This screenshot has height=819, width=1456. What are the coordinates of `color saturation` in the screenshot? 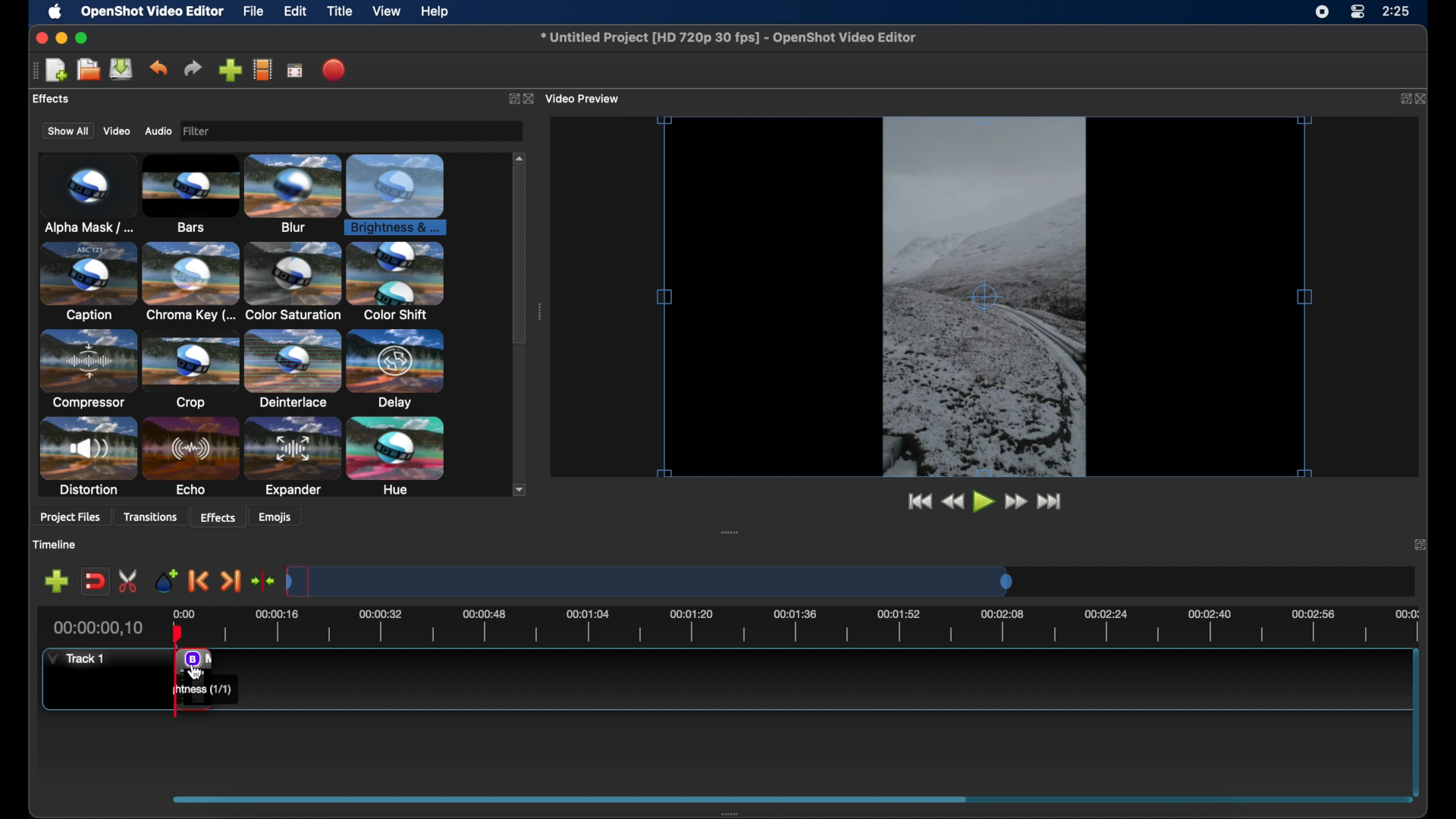 It's located at (292, 282).